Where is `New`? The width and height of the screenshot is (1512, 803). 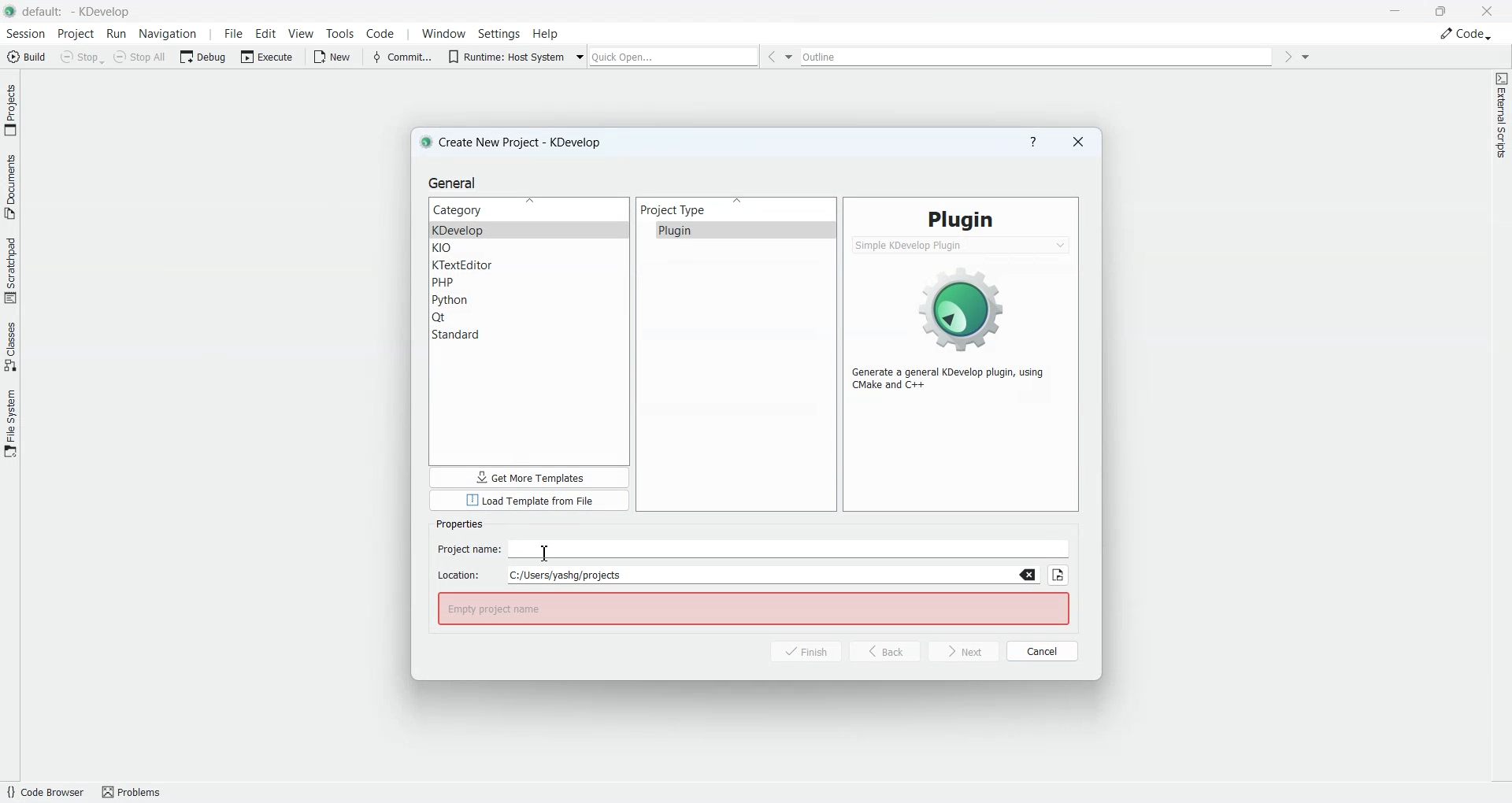 New is located at coordinates (335, 57).